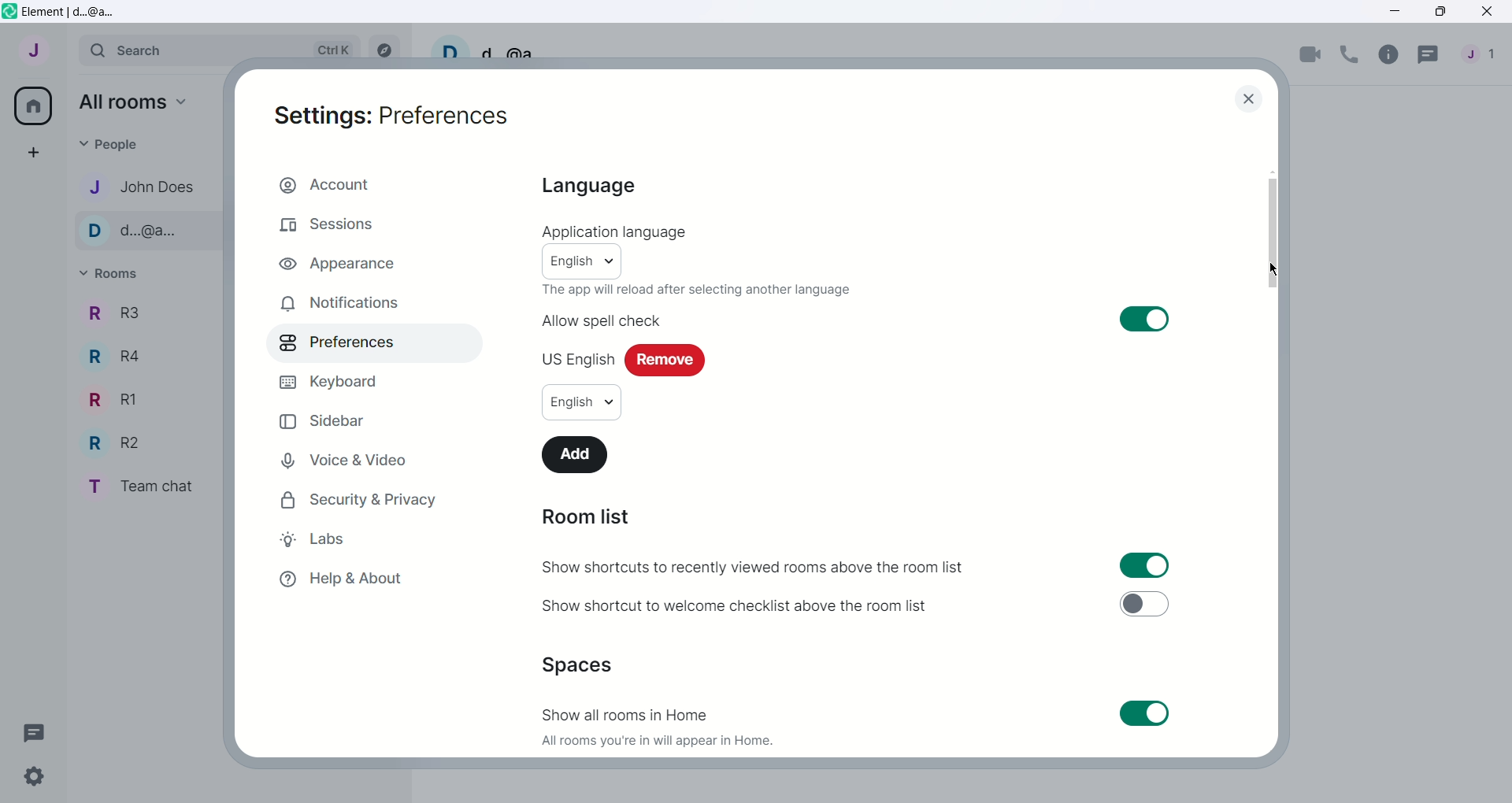 This screenshot has height=803, width=1512. I want to click on English/Language options, so click(580, 401).